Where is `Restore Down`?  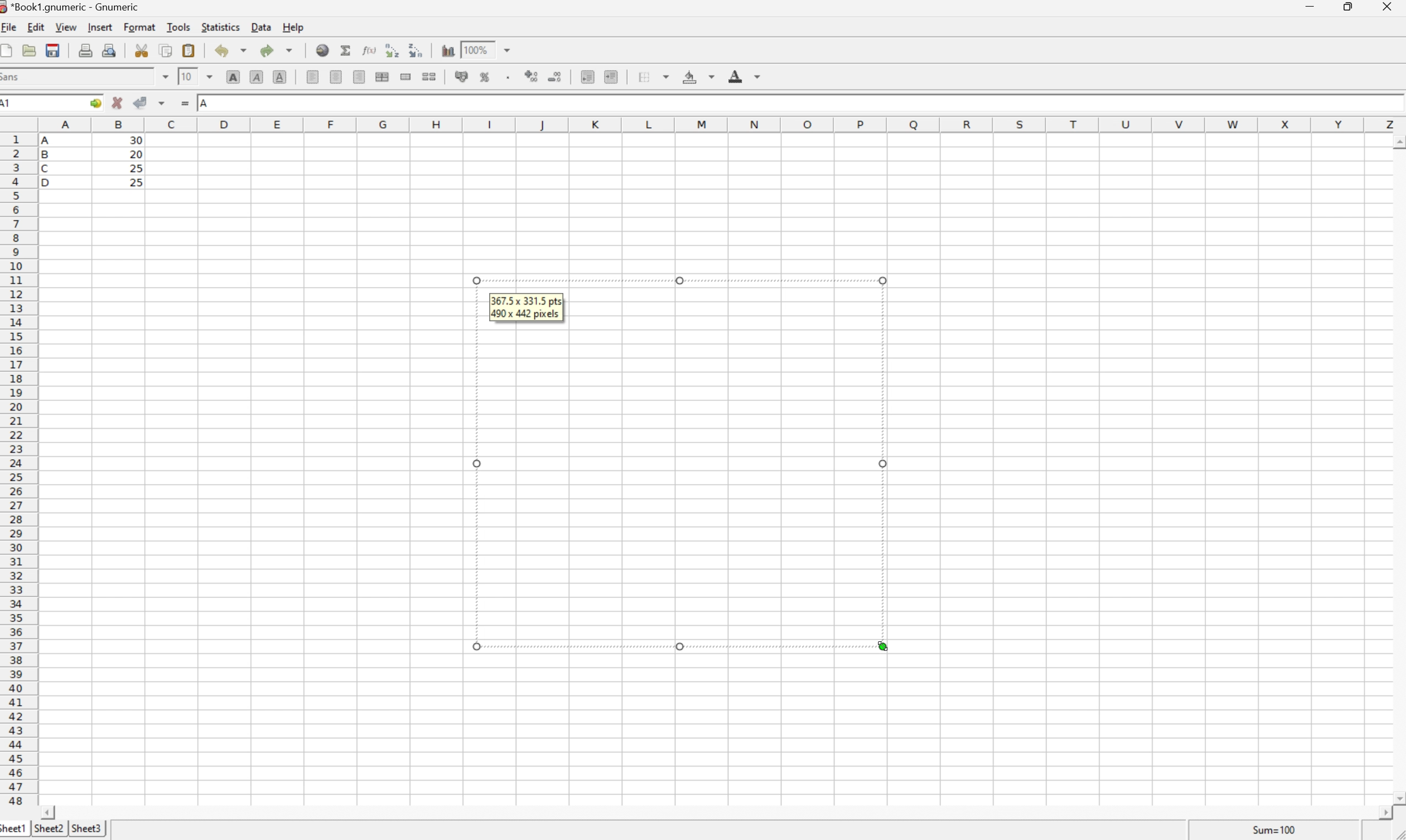
Restore Down is located at coordinates (1351, 6).